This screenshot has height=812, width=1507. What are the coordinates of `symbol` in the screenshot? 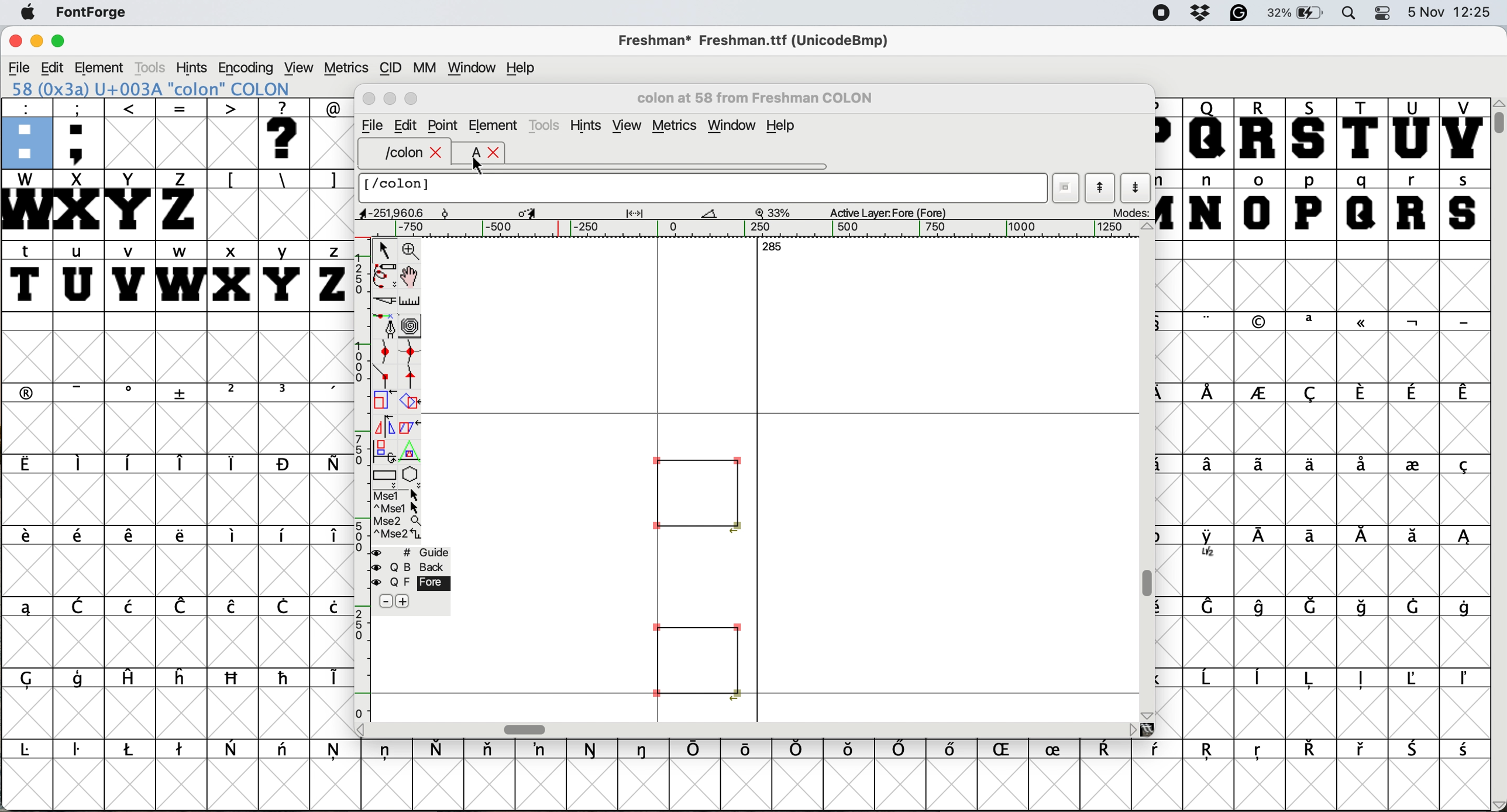 It's located at (1212, 608).